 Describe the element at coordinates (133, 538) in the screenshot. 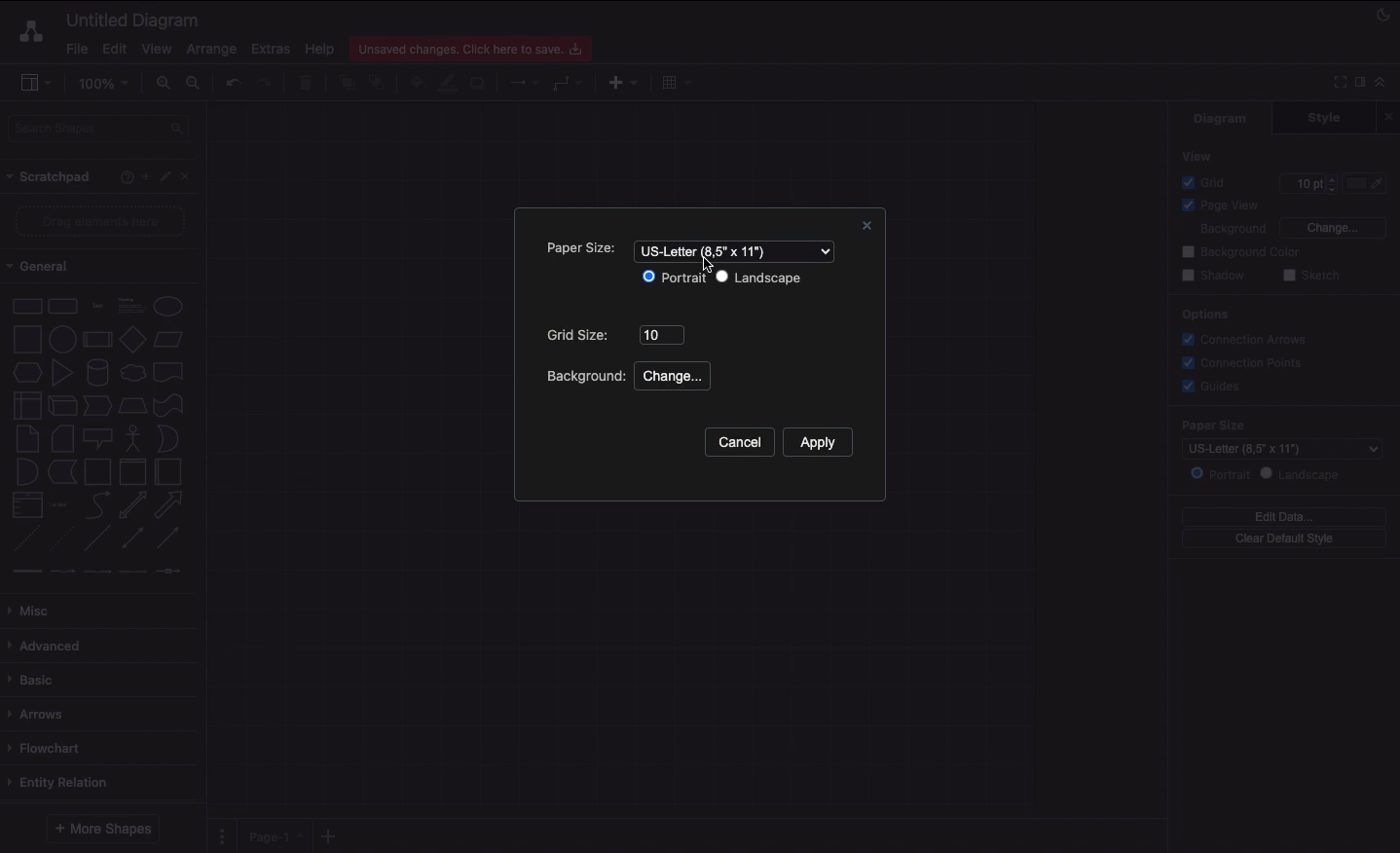

I see `Bidirectional connector` at that location.